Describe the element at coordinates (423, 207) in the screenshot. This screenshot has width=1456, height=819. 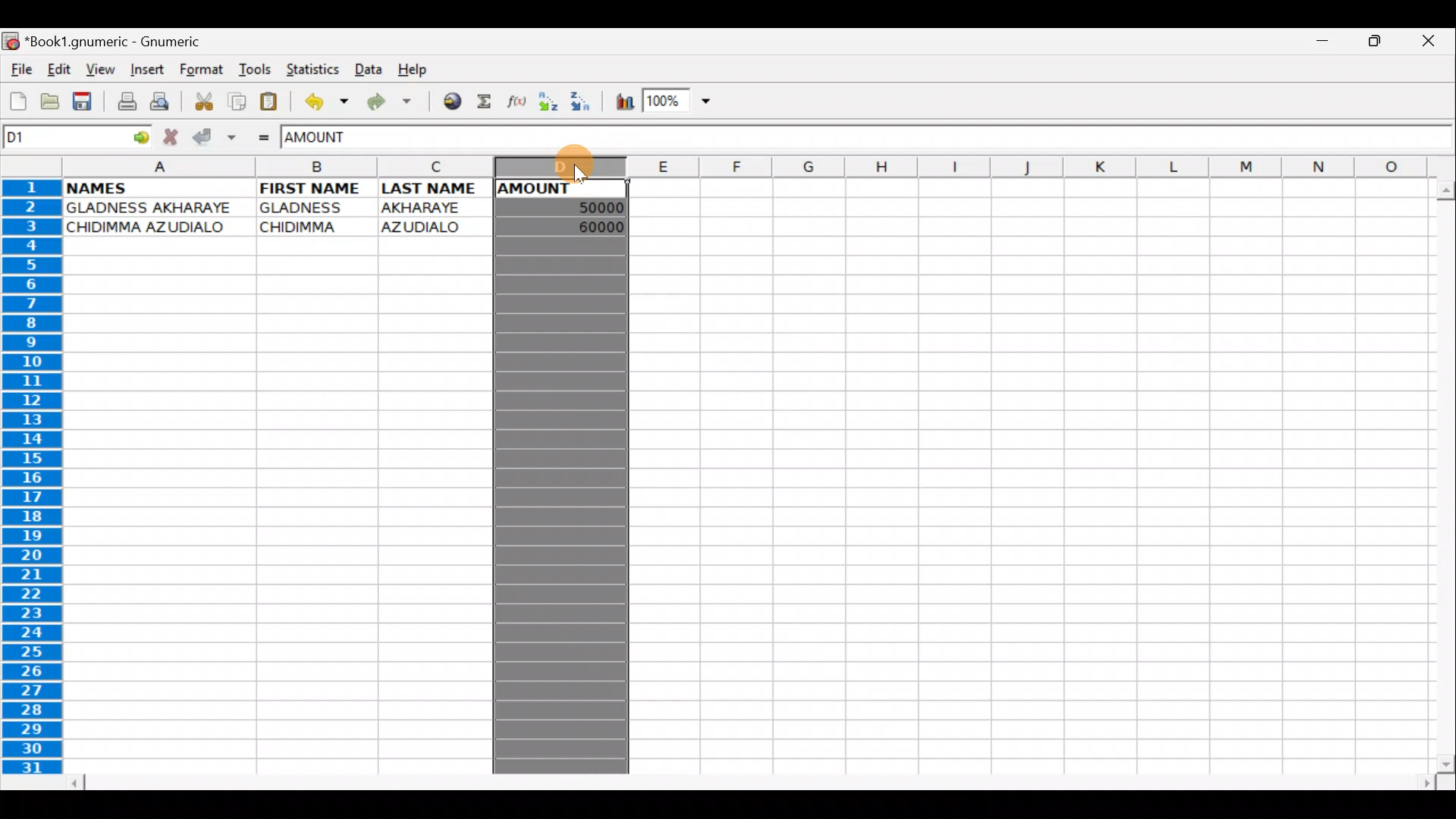
I see `AKHARAYE` at that location.